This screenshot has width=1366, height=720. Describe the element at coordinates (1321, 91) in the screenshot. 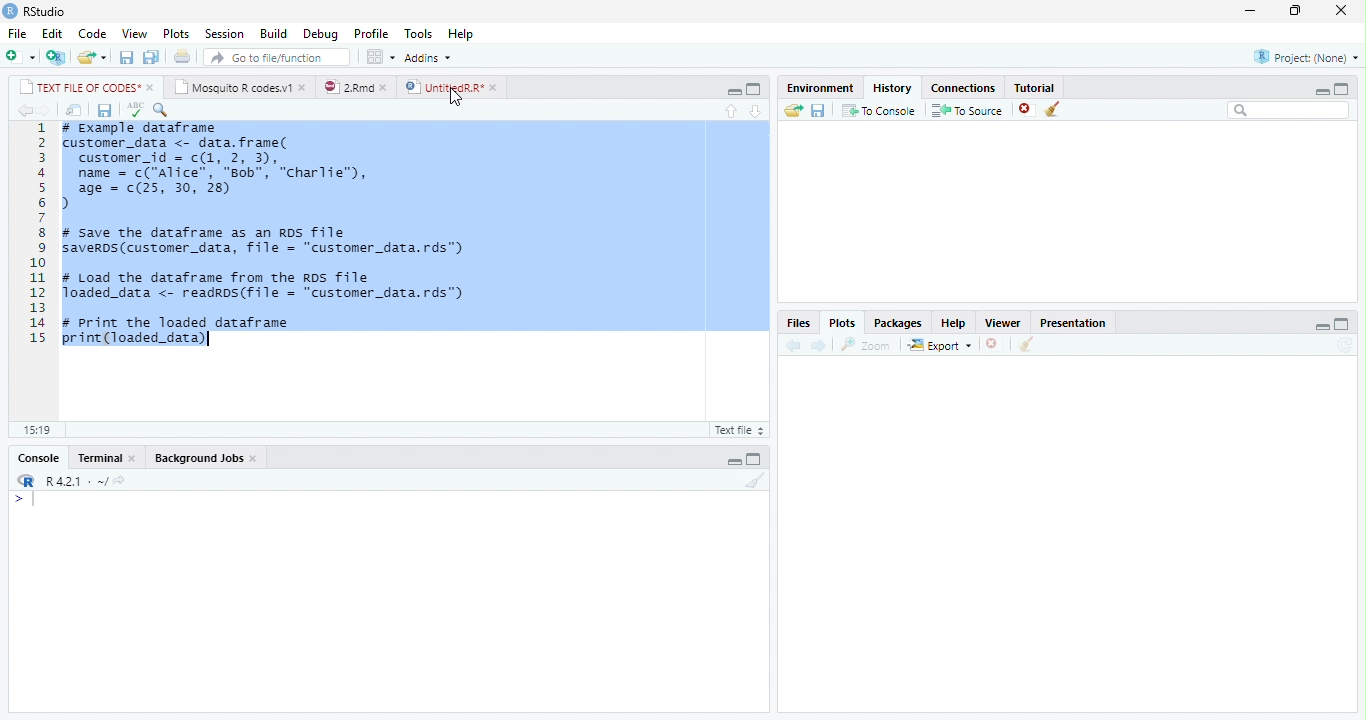

I see `minimize` at that location.